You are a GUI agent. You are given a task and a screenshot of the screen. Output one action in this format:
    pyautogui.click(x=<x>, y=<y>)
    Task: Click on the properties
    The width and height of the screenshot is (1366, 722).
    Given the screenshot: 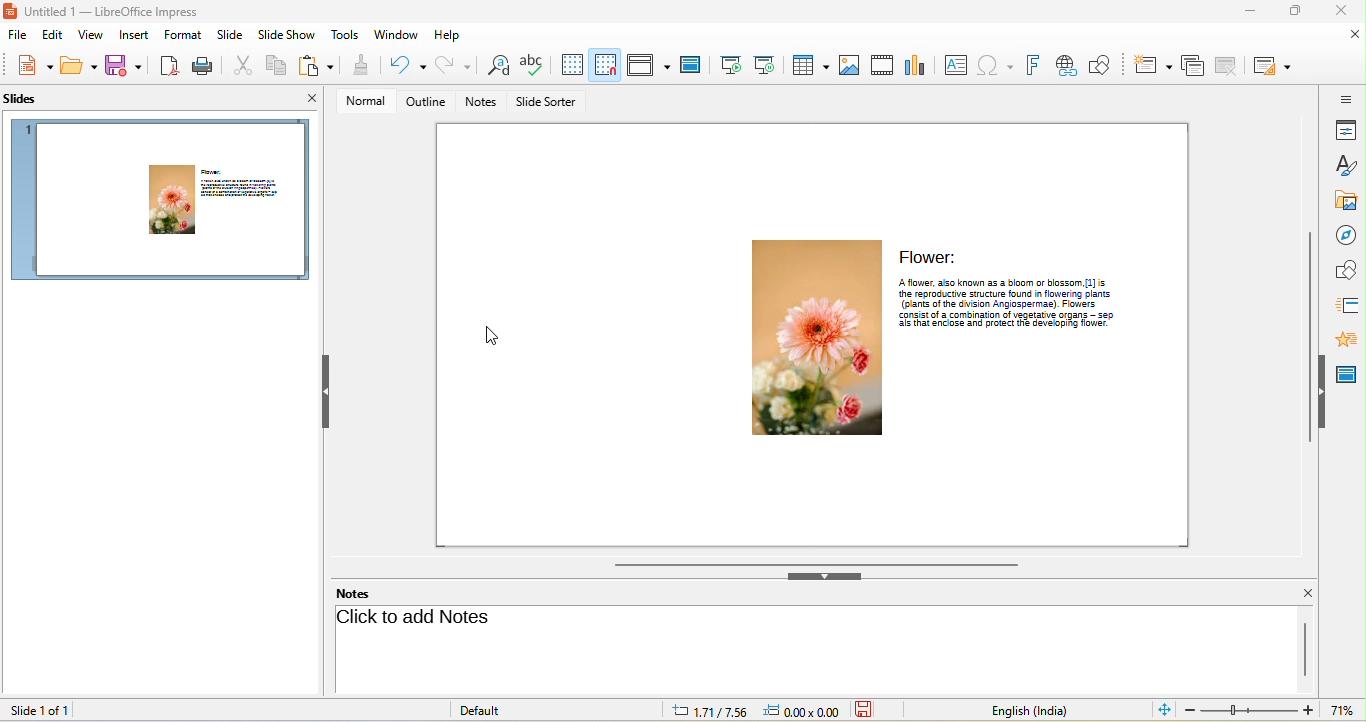 What is the action you would take?
    pyautogui.click(x=1347, y=130)
    